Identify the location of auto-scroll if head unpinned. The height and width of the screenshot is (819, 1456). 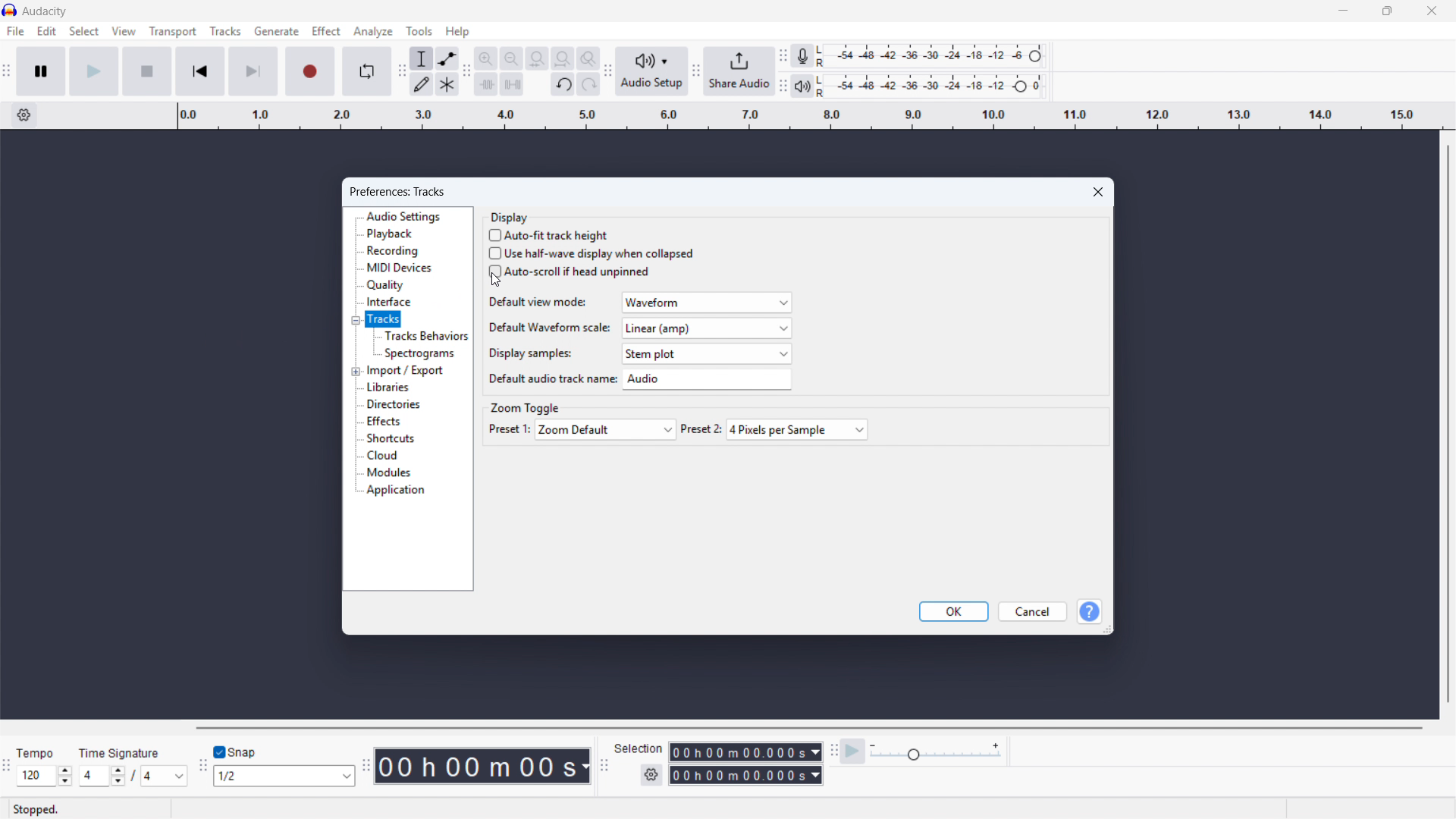
(570, 271).